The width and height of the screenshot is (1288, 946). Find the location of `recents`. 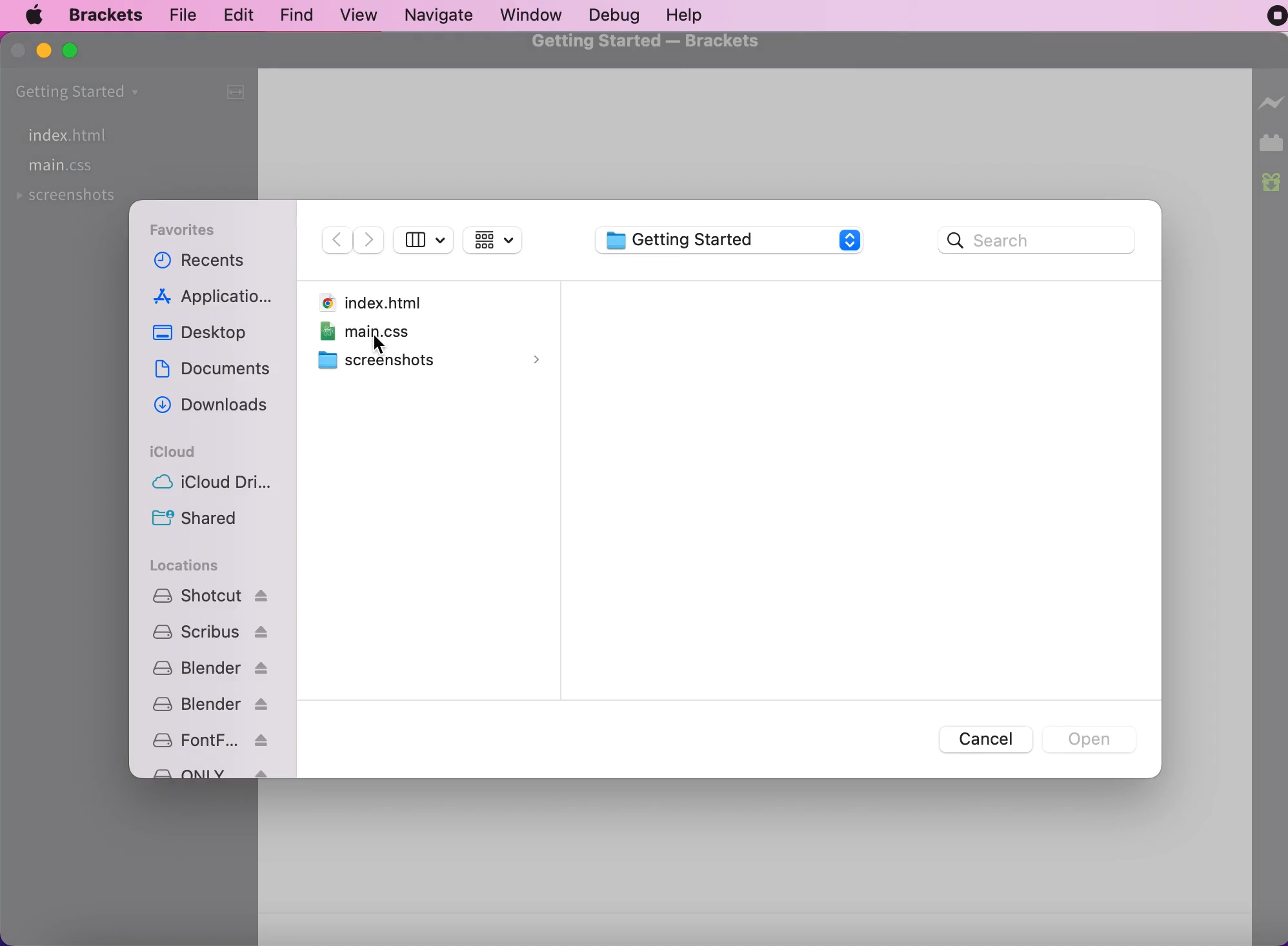

recents is located at coordinates (214, 261).